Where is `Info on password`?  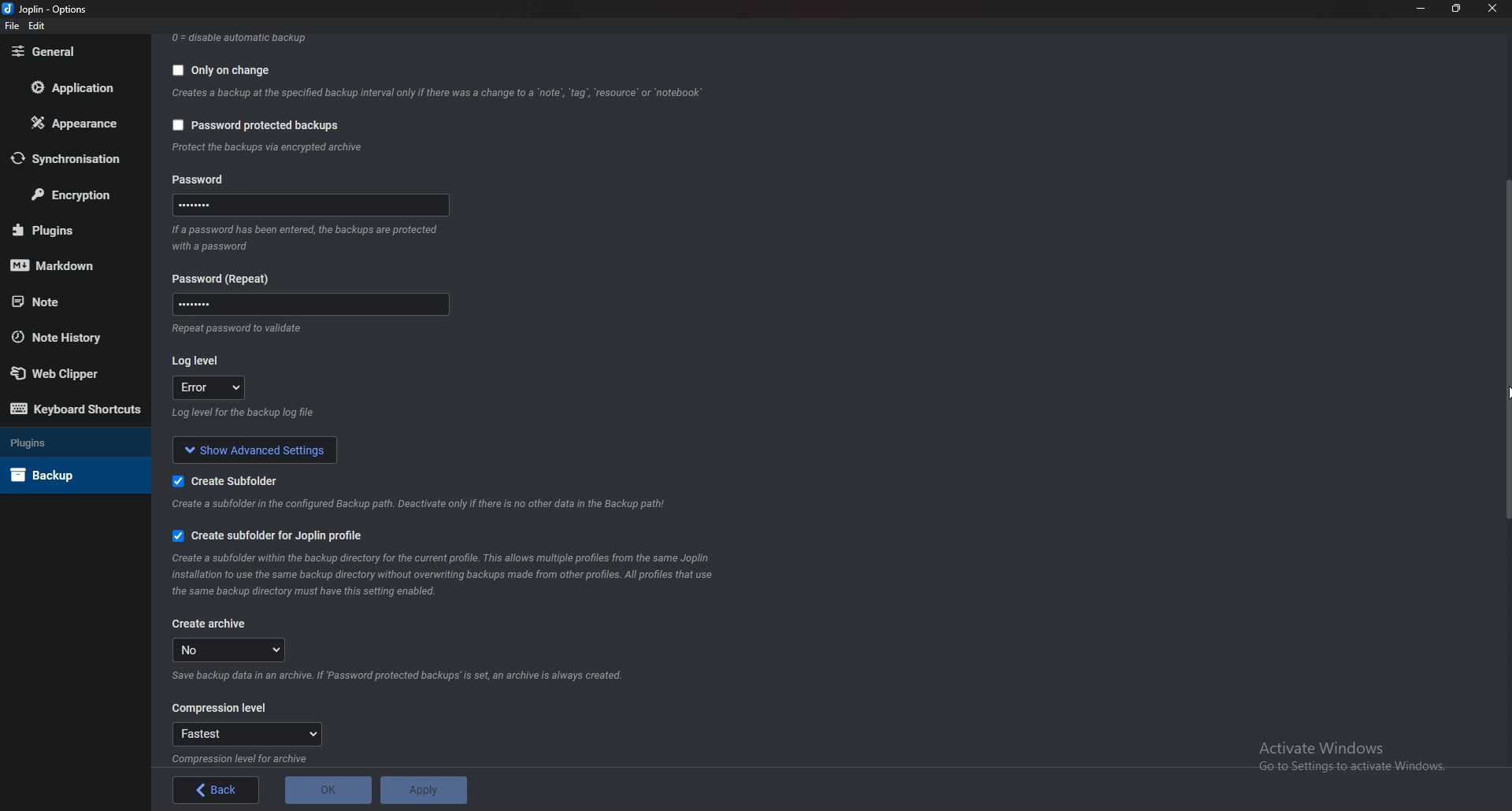
Info on password is located at coordinates (243, 330).